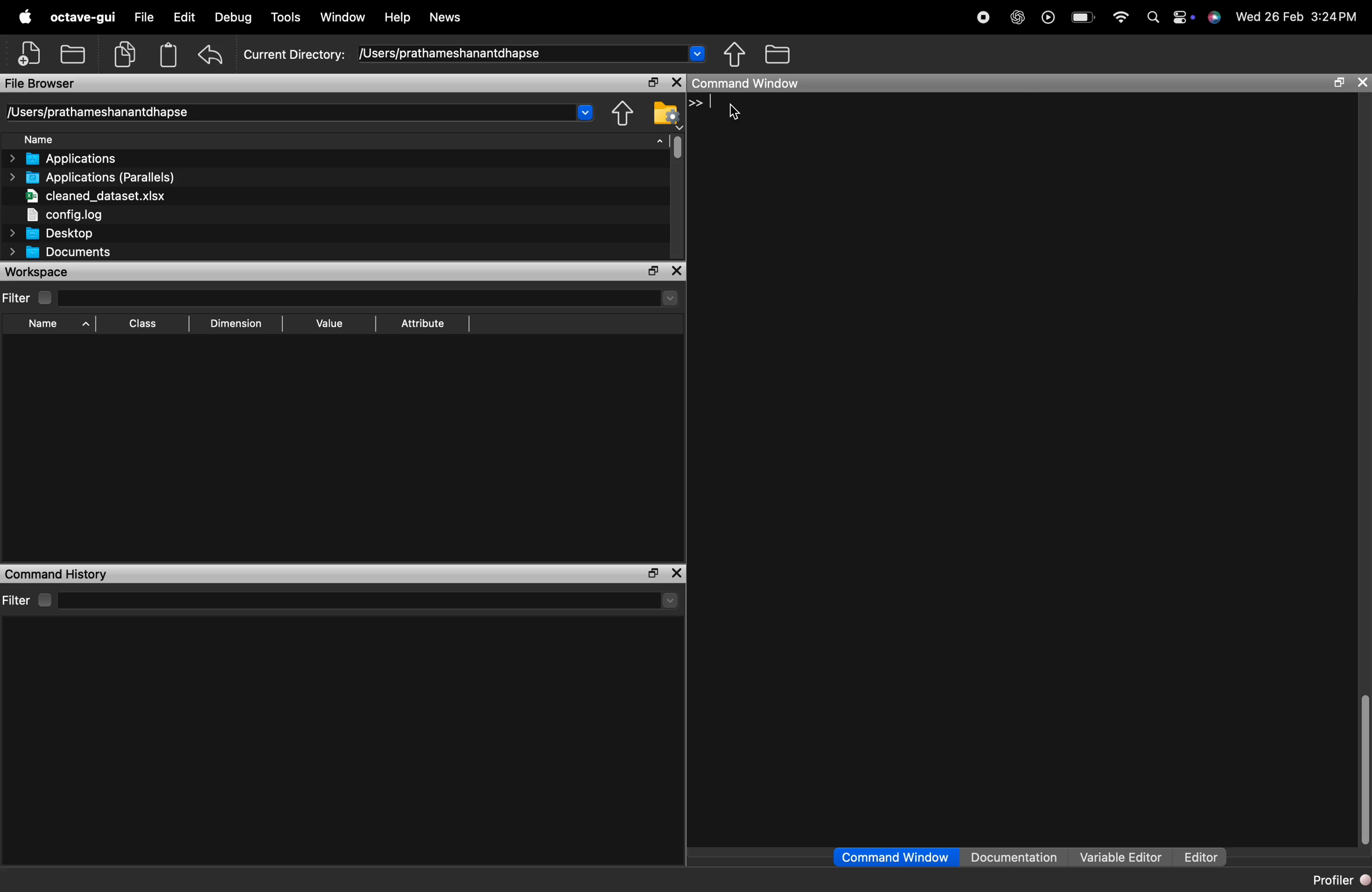 This screenshot has height=892, width=1372. What do you see at coordinates (183, 19) in the screenshot?
I see `Edit` at bounding box center [183, 19].